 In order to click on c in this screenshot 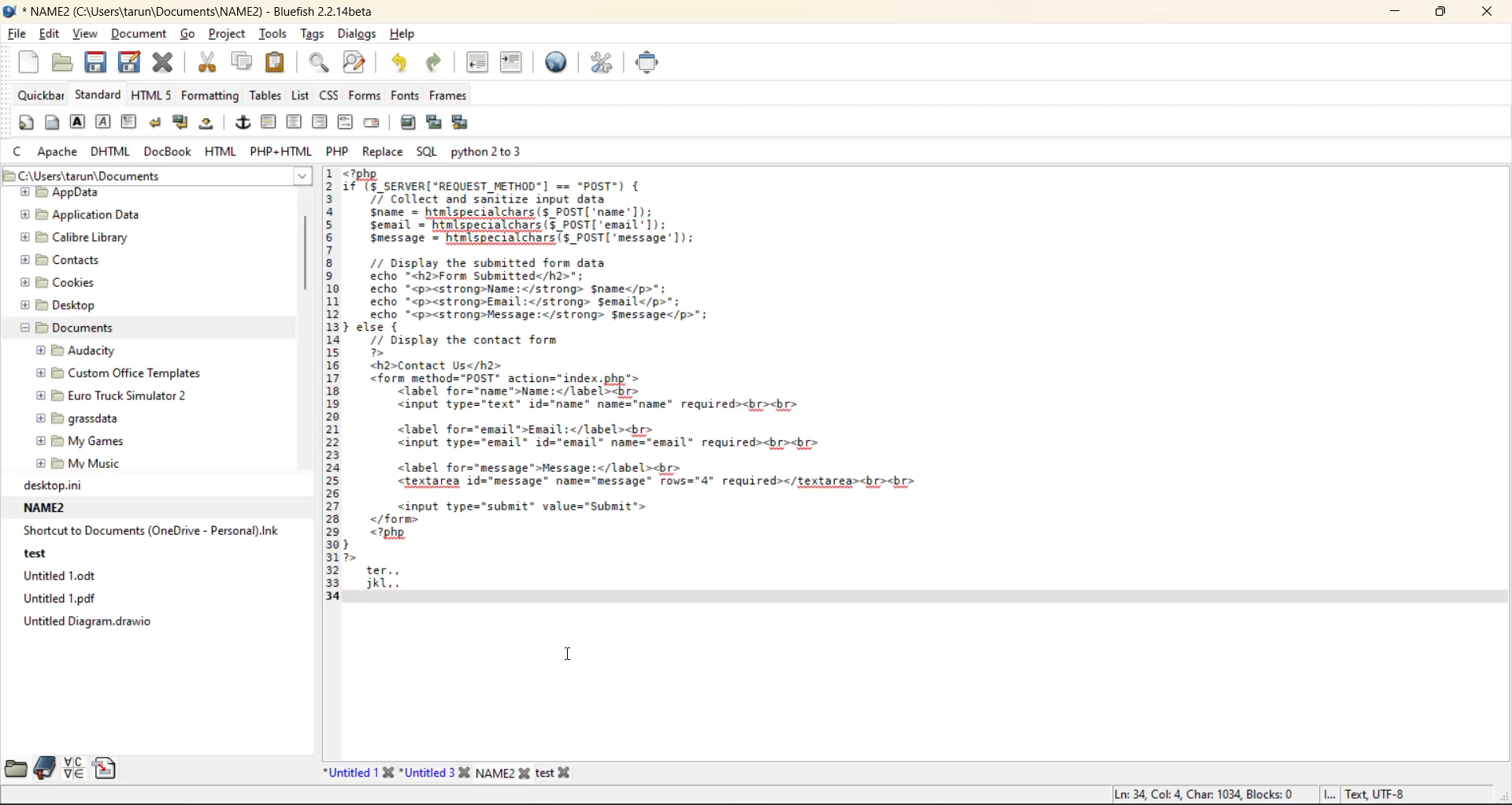, I will do `click(19, 150)`.